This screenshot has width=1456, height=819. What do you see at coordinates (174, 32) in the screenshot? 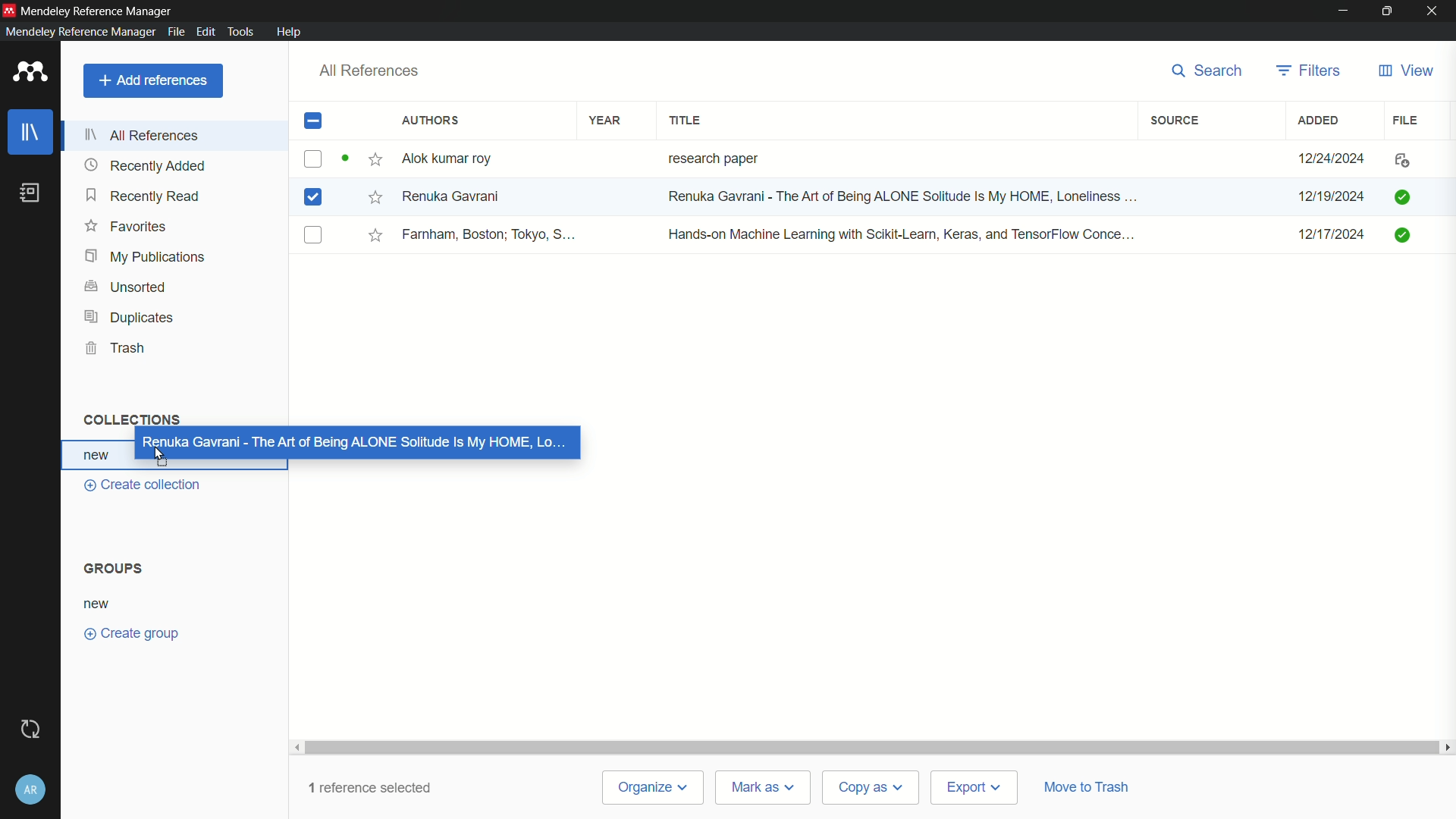
I see `file menu` at bounding box center [174, 32].